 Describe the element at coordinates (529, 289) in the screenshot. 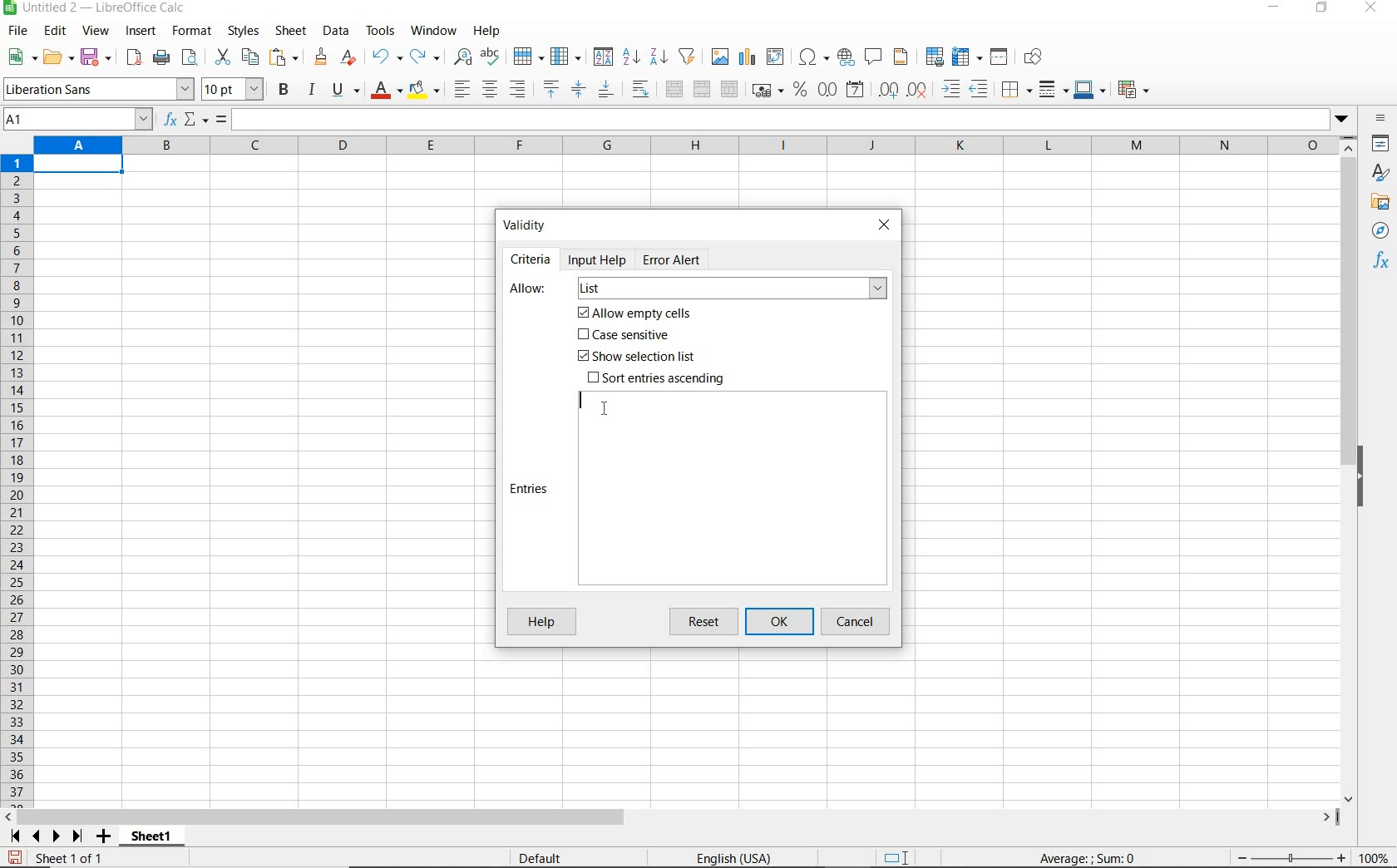

I see `Allow` at that location.